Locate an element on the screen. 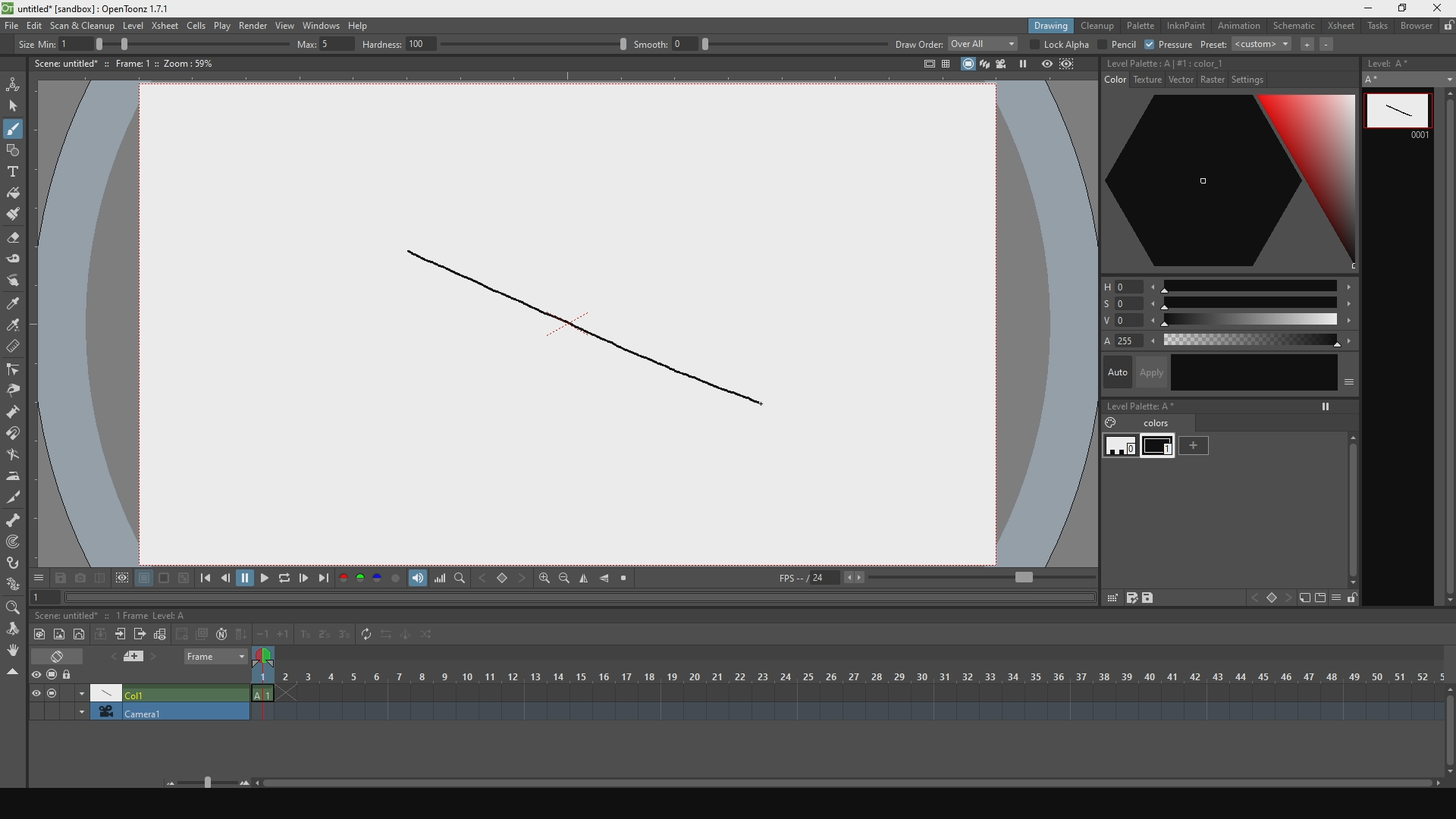  show volume is located at coordinates (417, 579).